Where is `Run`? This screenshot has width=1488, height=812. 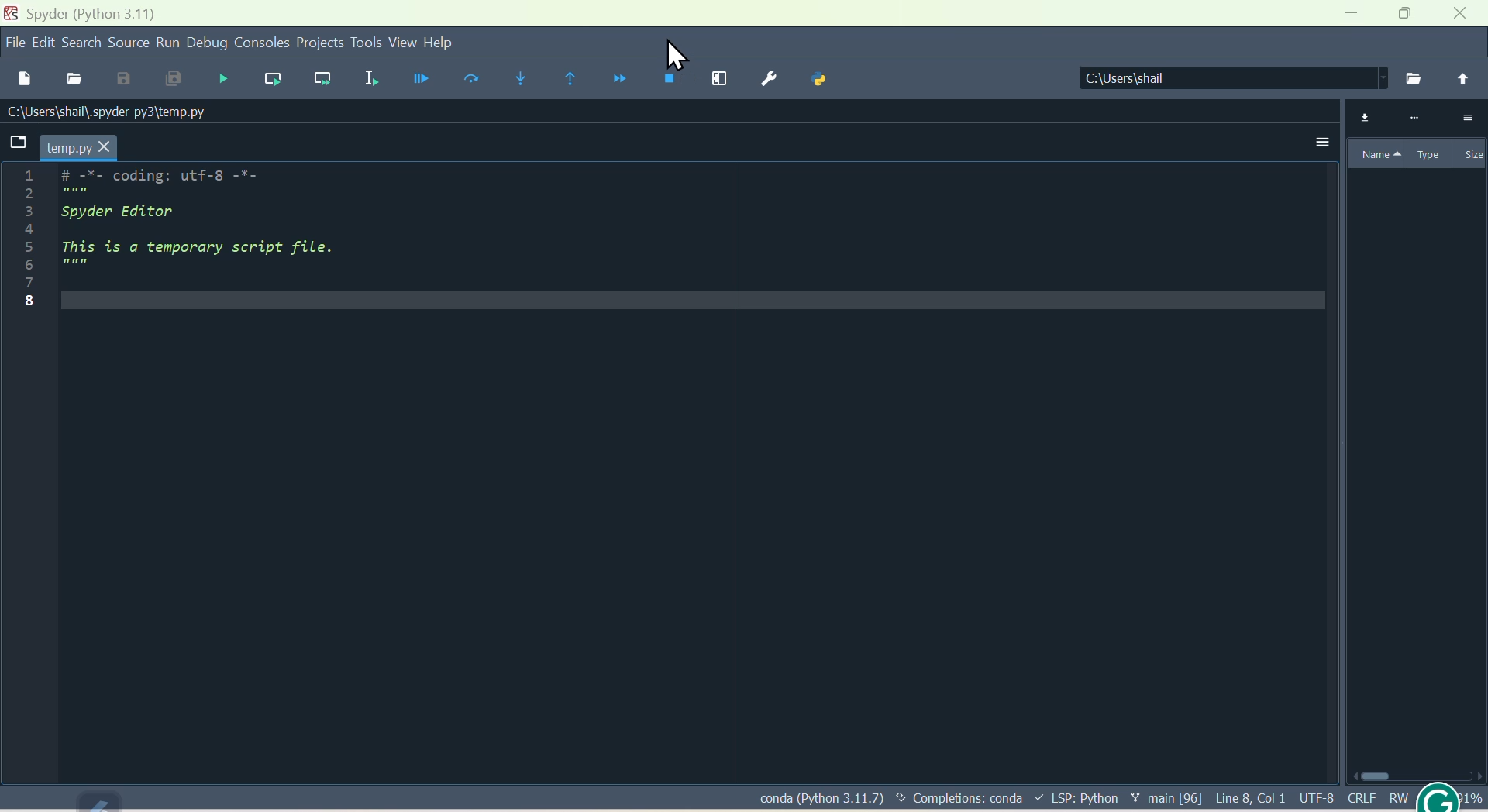
Run is located at coordinates (167, 42).